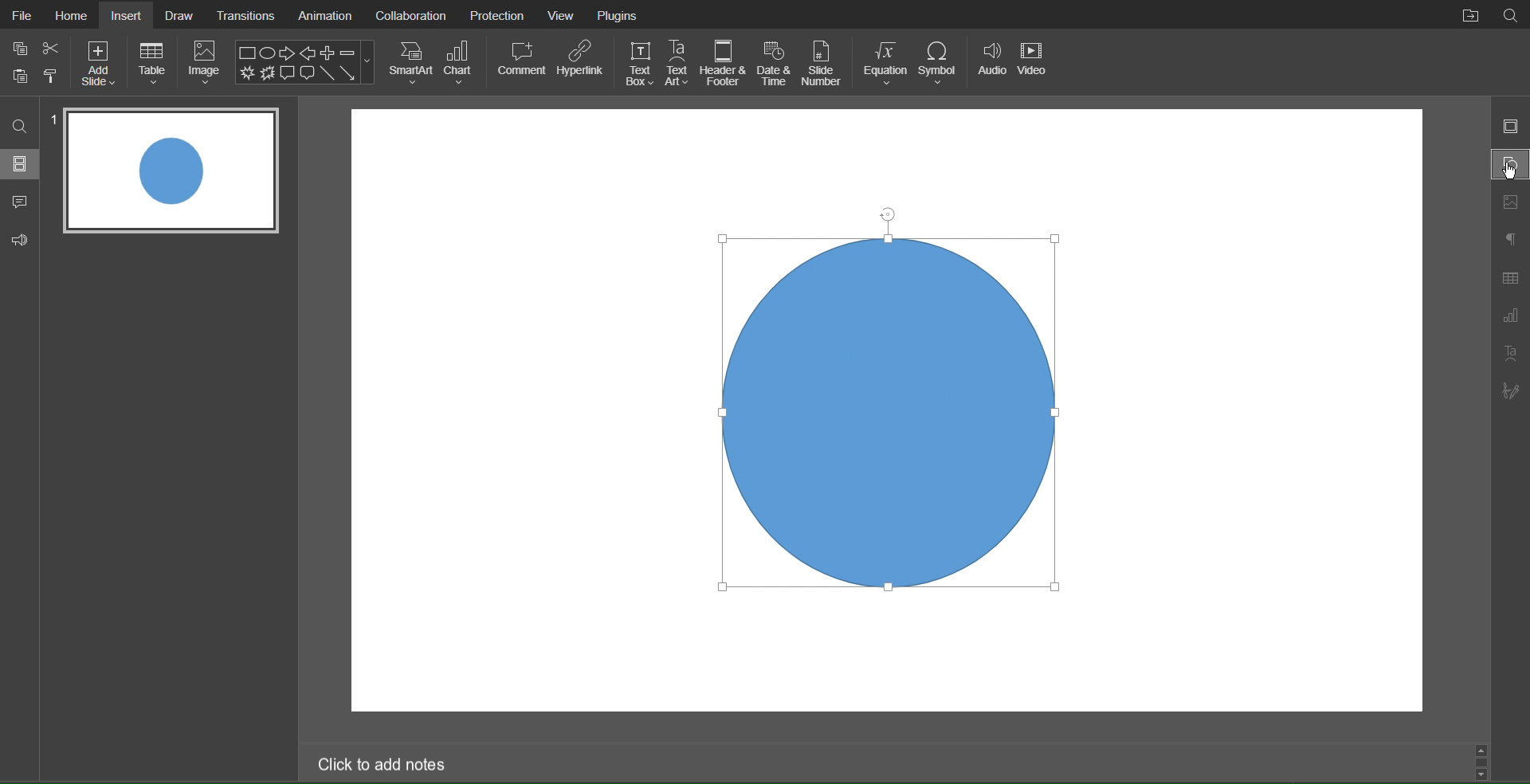 The image size is (1530, 784). I want to click on Audio, so click(992, 64).